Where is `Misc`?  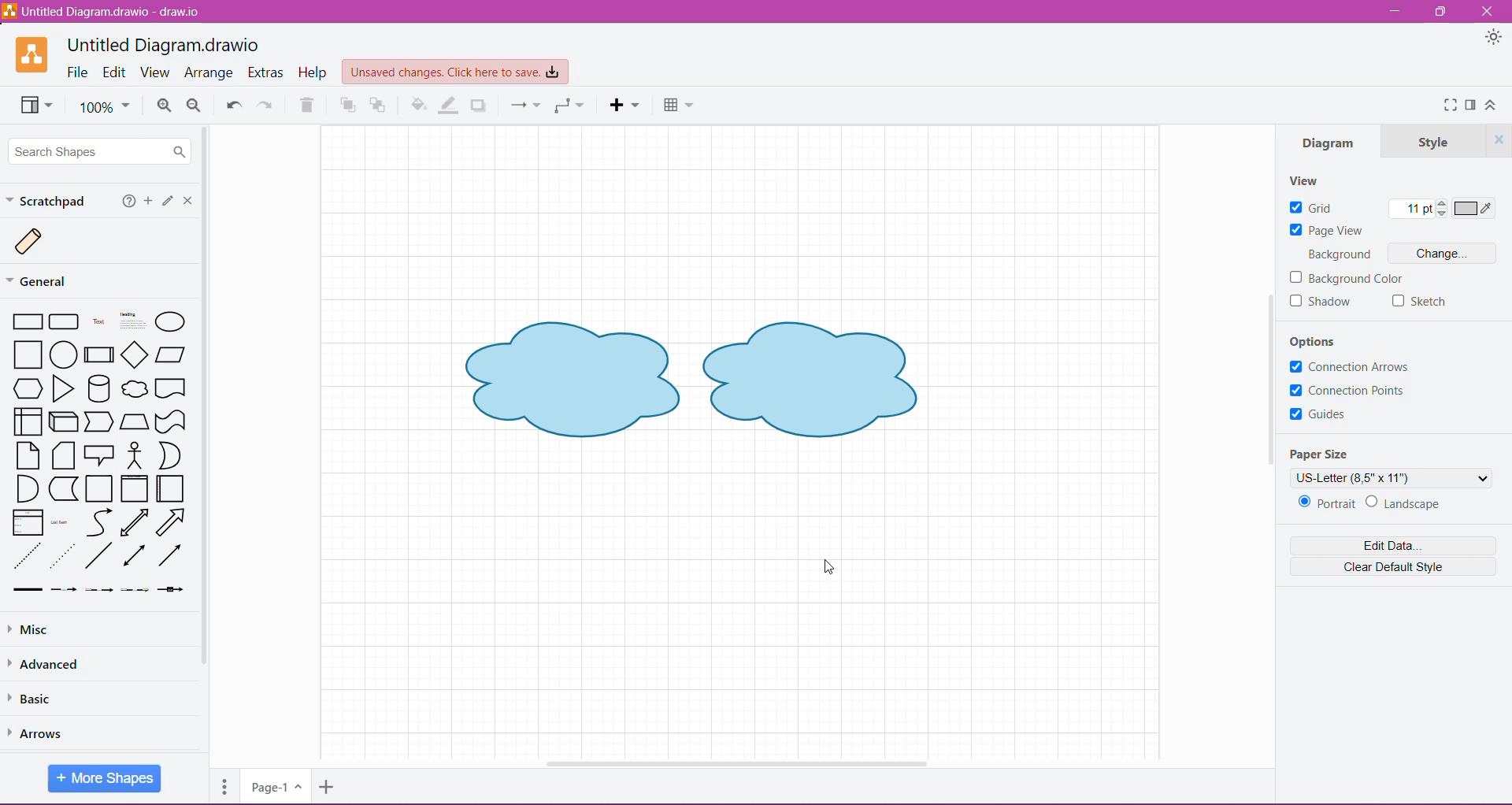
Misc is located at coordinates (31, 630).